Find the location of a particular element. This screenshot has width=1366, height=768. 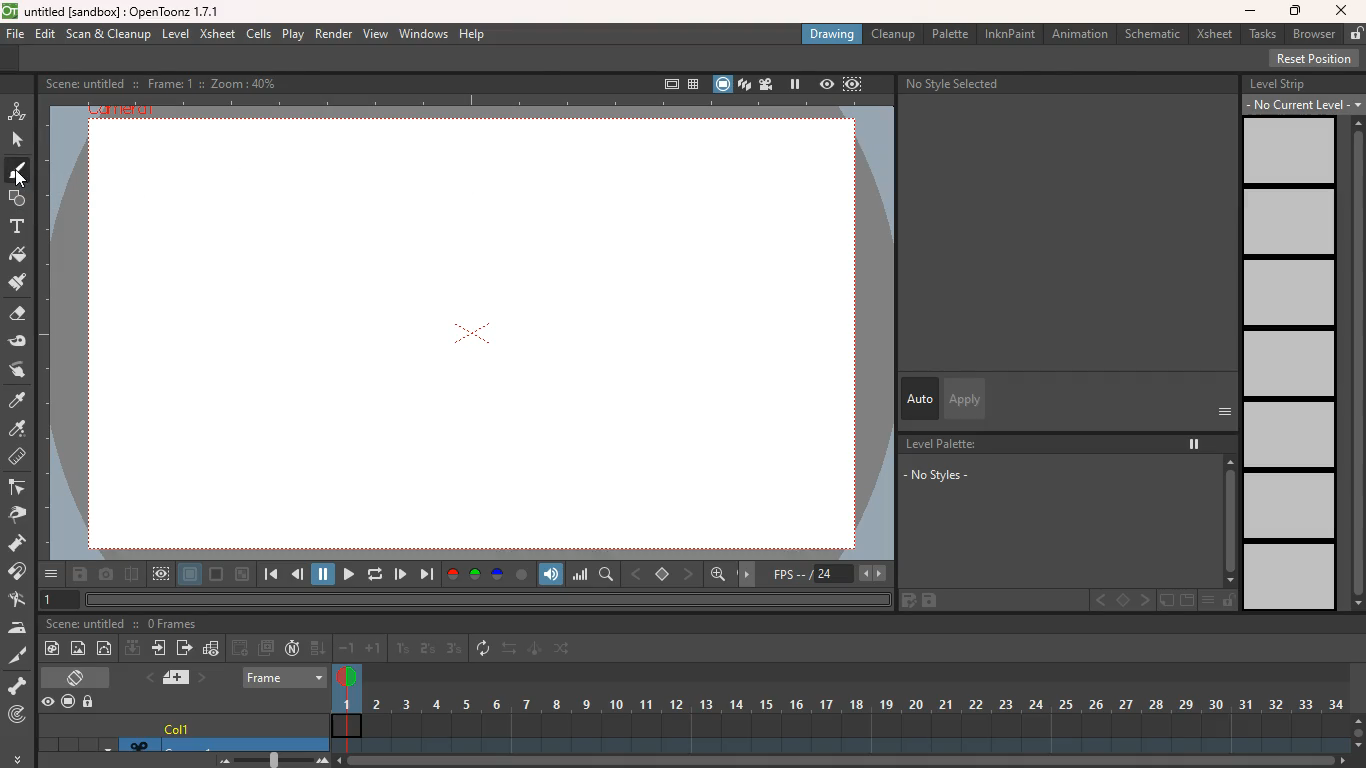

untitled [sandbox] : OpenToonz 1.7.1 is located at coordinates (112, 11).